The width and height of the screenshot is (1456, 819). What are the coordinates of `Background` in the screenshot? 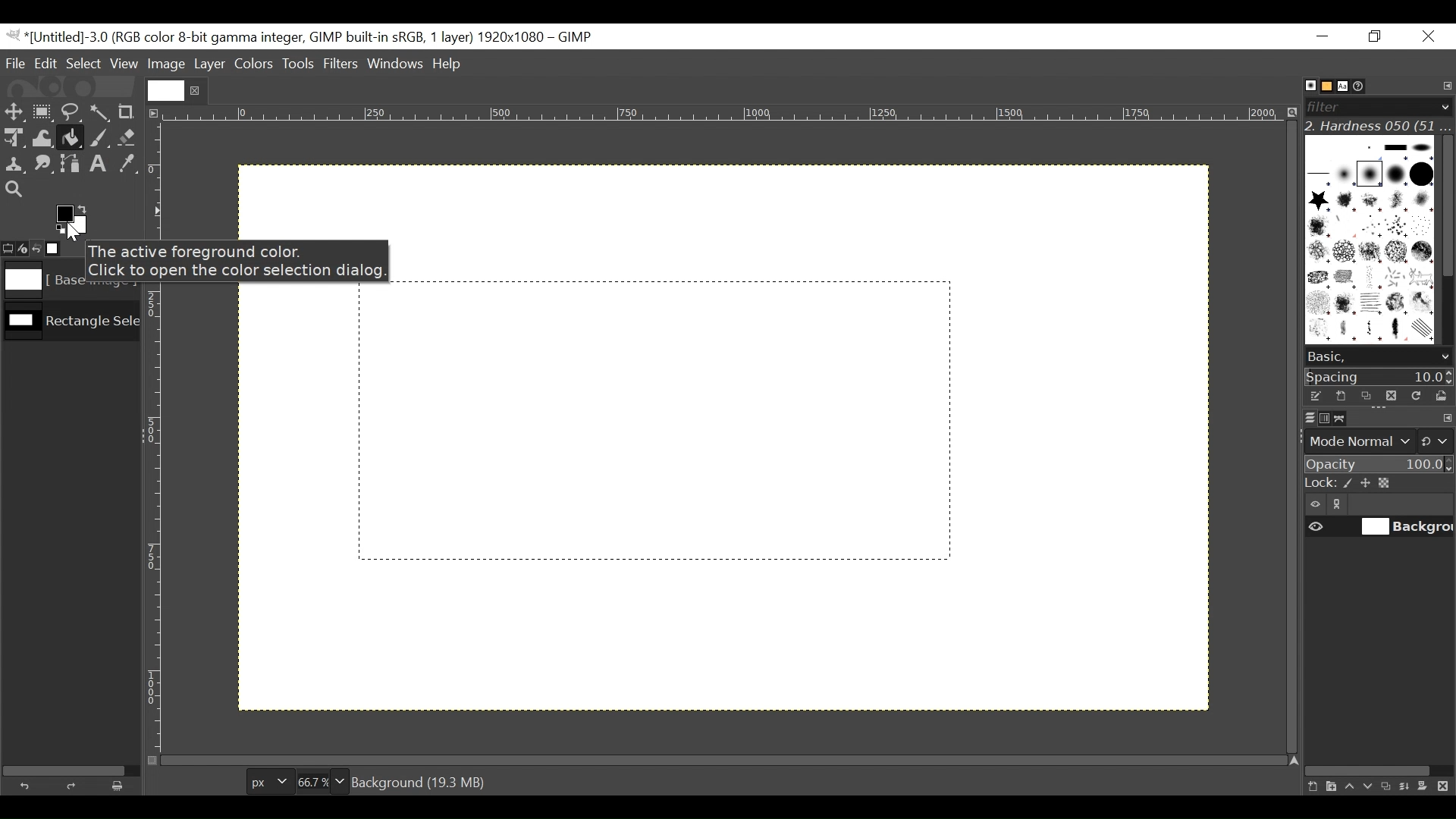 It's located at (779, 503).